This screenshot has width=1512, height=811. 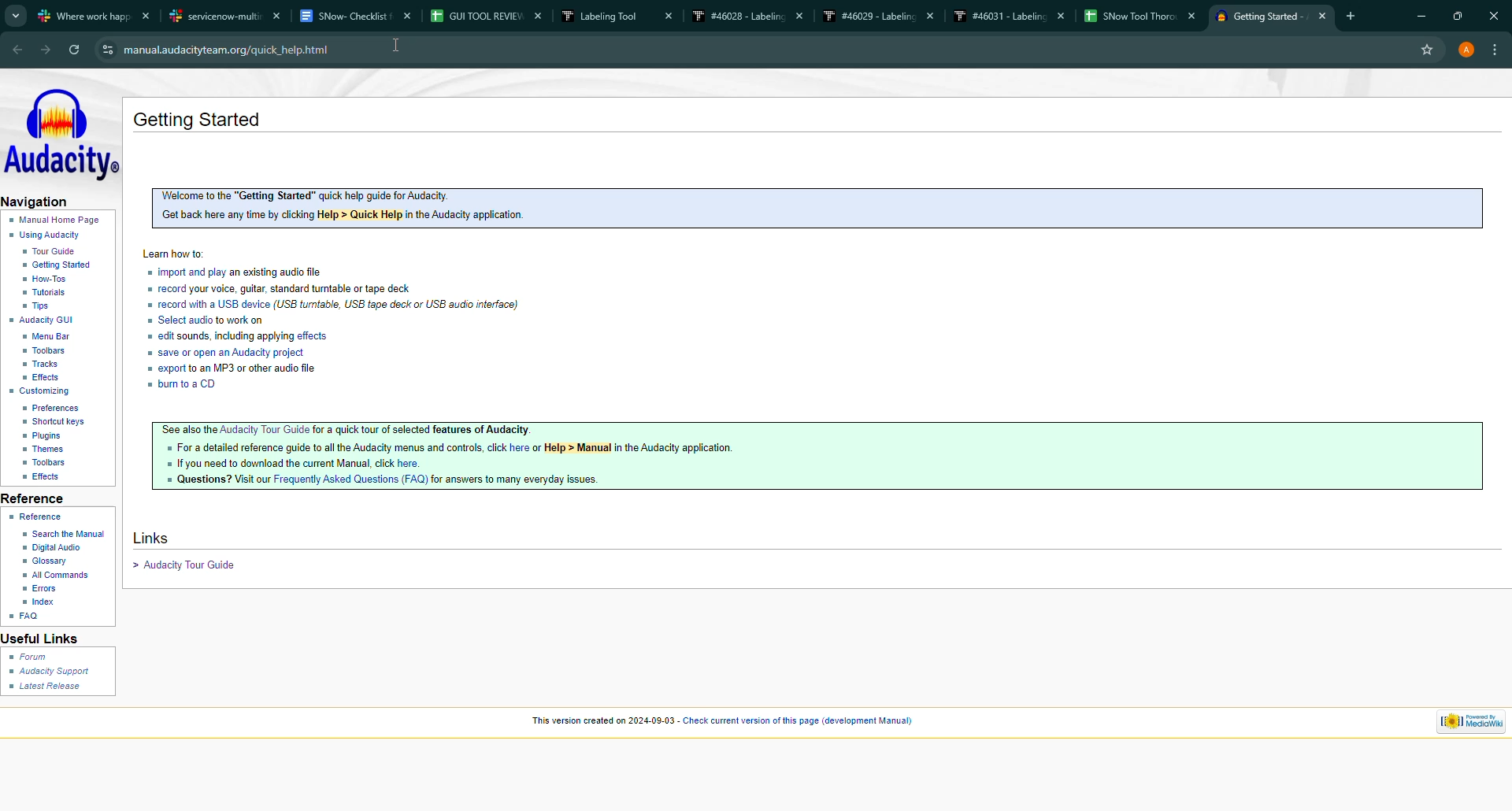 What do you see at coordinates (1416, 18) in the screenshot?
I see `minimize` at bounding box center [1416, 18].